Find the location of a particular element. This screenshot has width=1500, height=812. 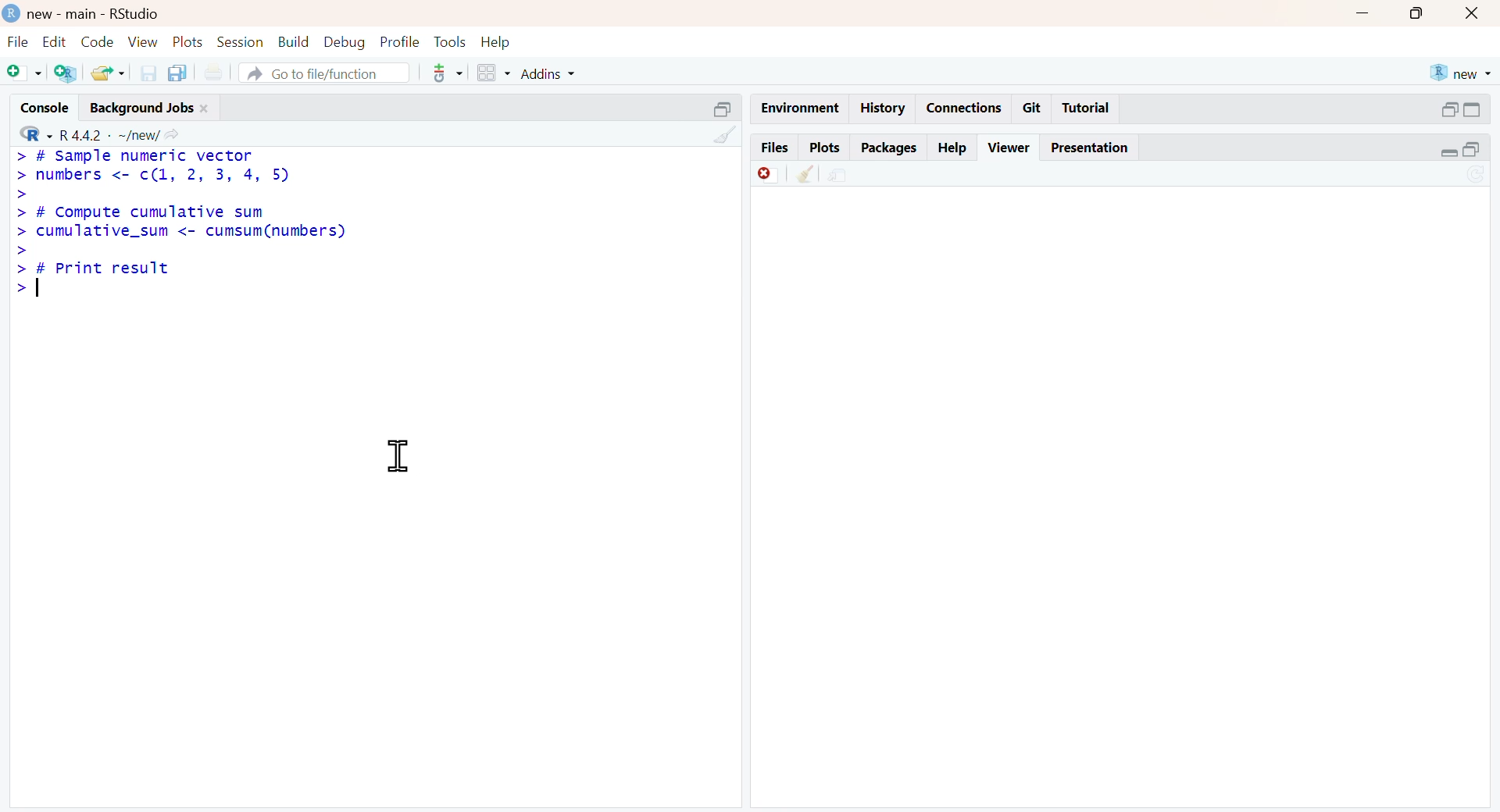

add file as is located at coordinates (27, 73).